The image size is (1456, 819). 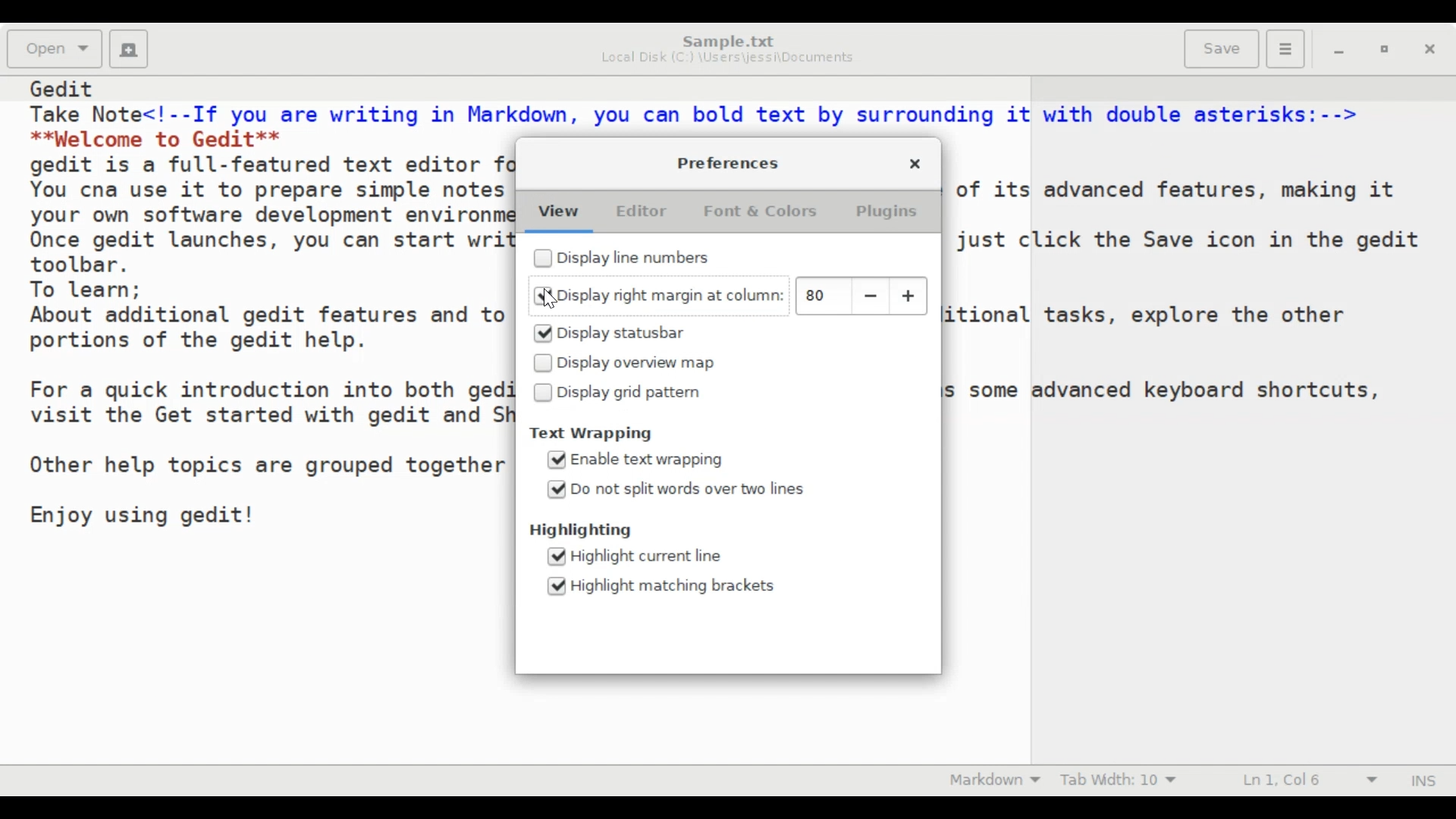 What do you see at coordinates (618, 393) in the screenshot?
I see `(un)select Display grid pattern` at bounding box center [618, 393].